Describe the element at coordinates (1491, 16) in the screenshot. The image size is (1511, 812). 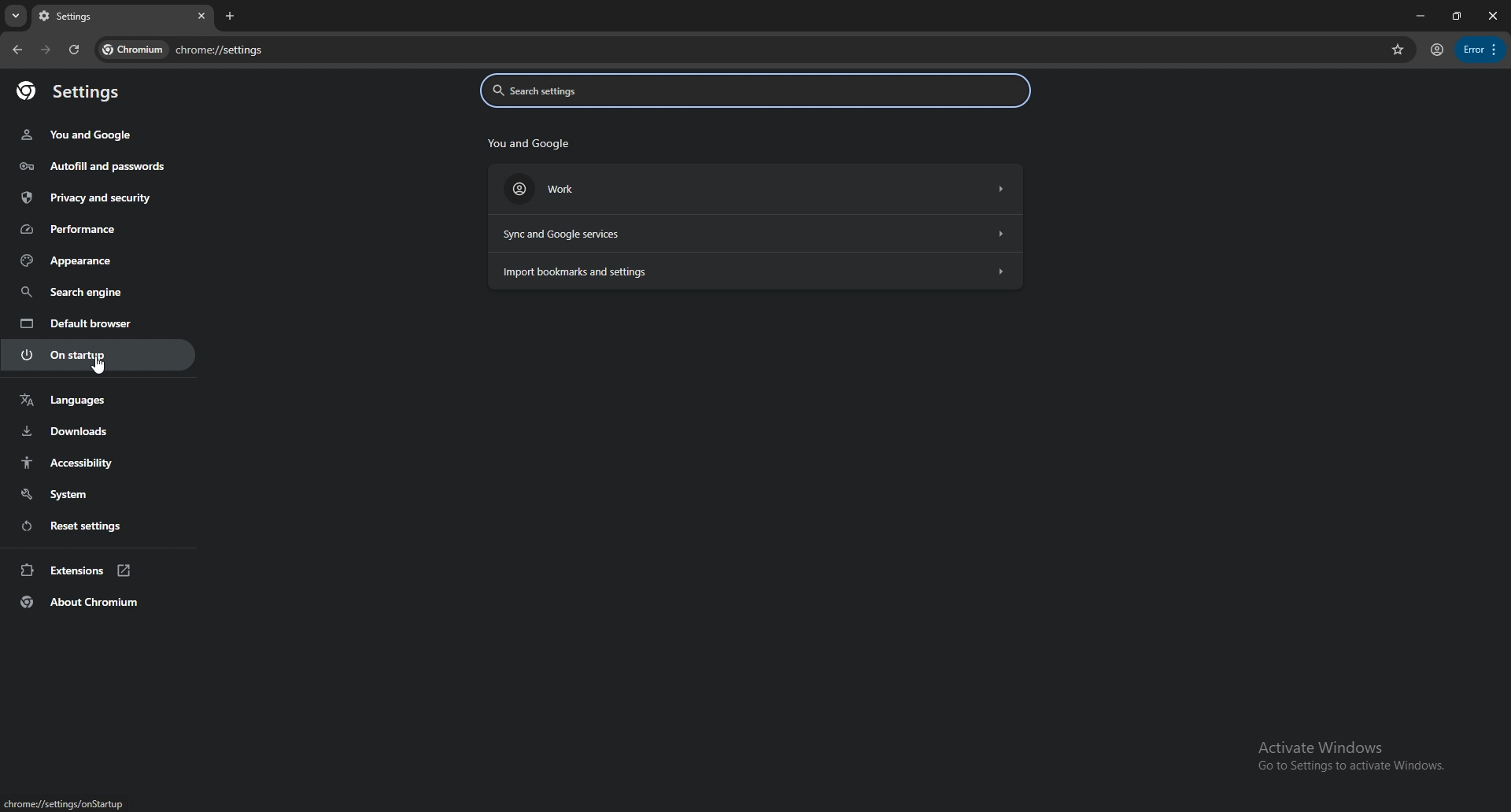
I see `close` at that location.